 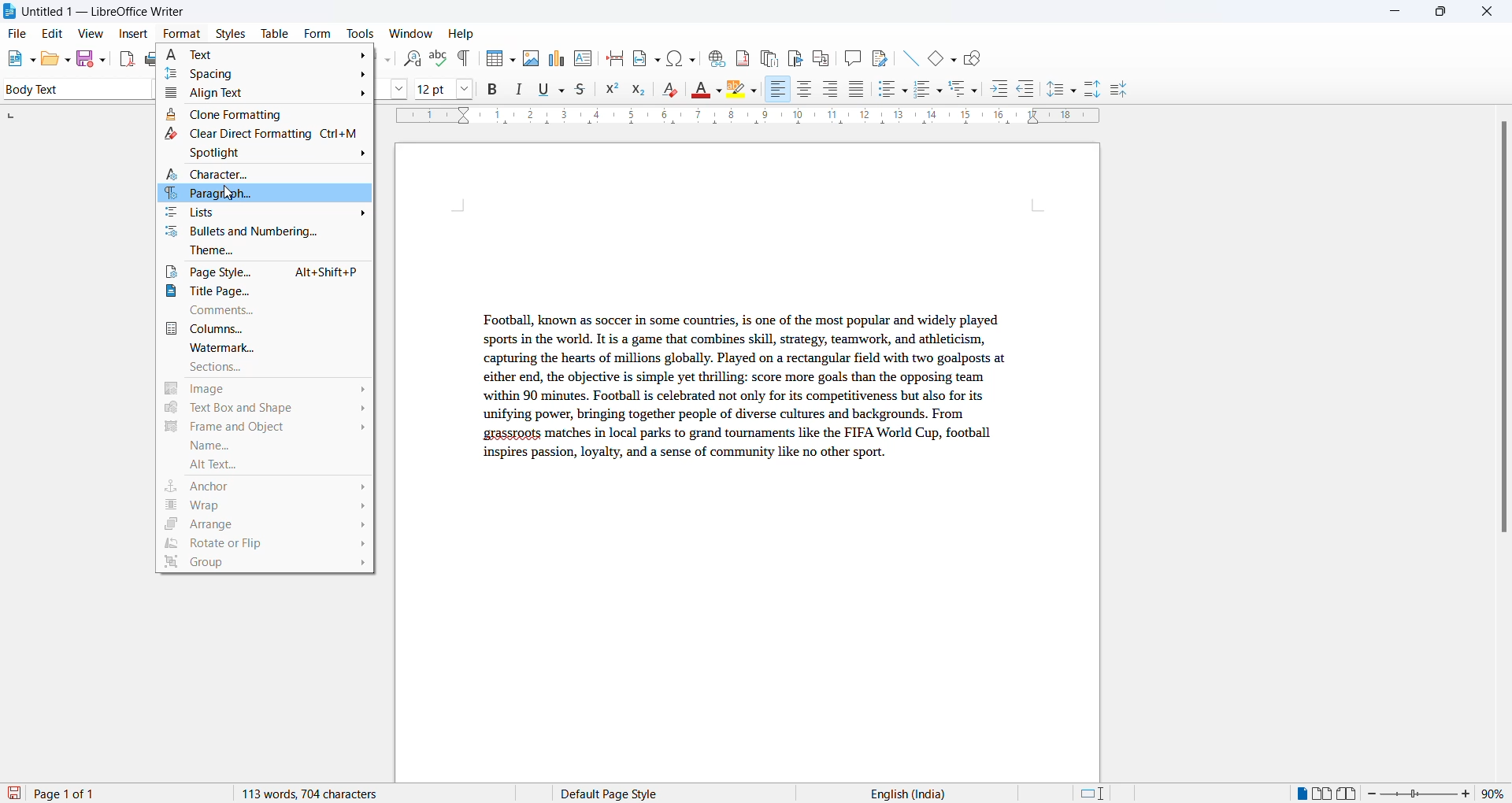 What do you see at coordinates (493, 90) in the screenshot?
I see `bold` at bounding box center [493, 90].